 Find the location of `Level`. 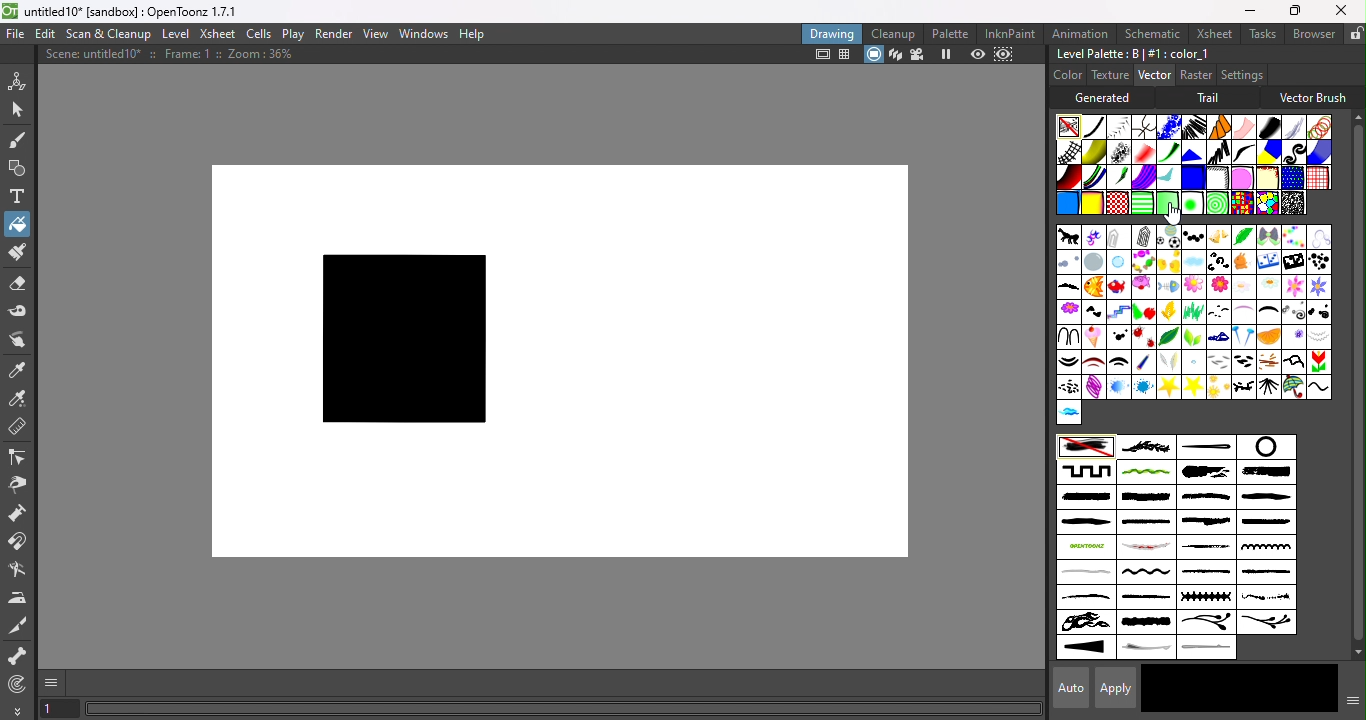

Level is located at coordinates (178, 34).